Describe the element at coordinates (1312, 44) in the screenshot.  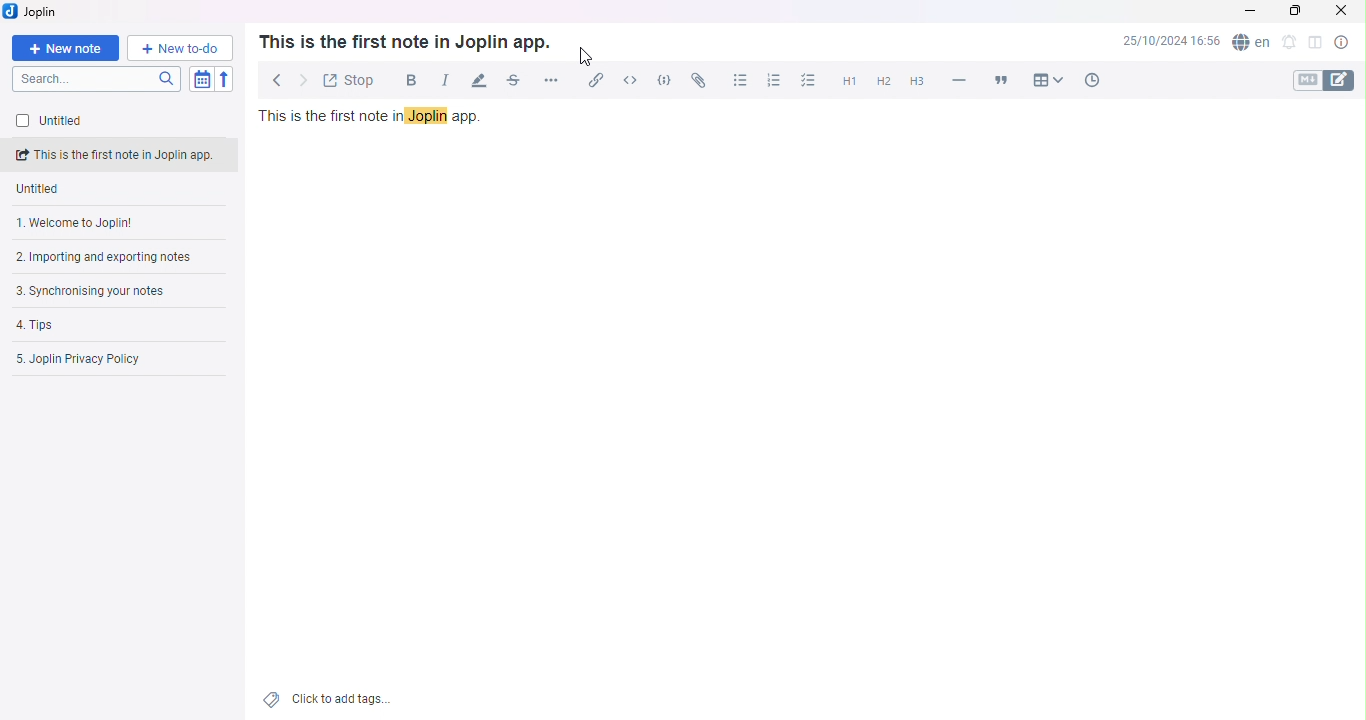
I see `Toggle editor layout` at that location.